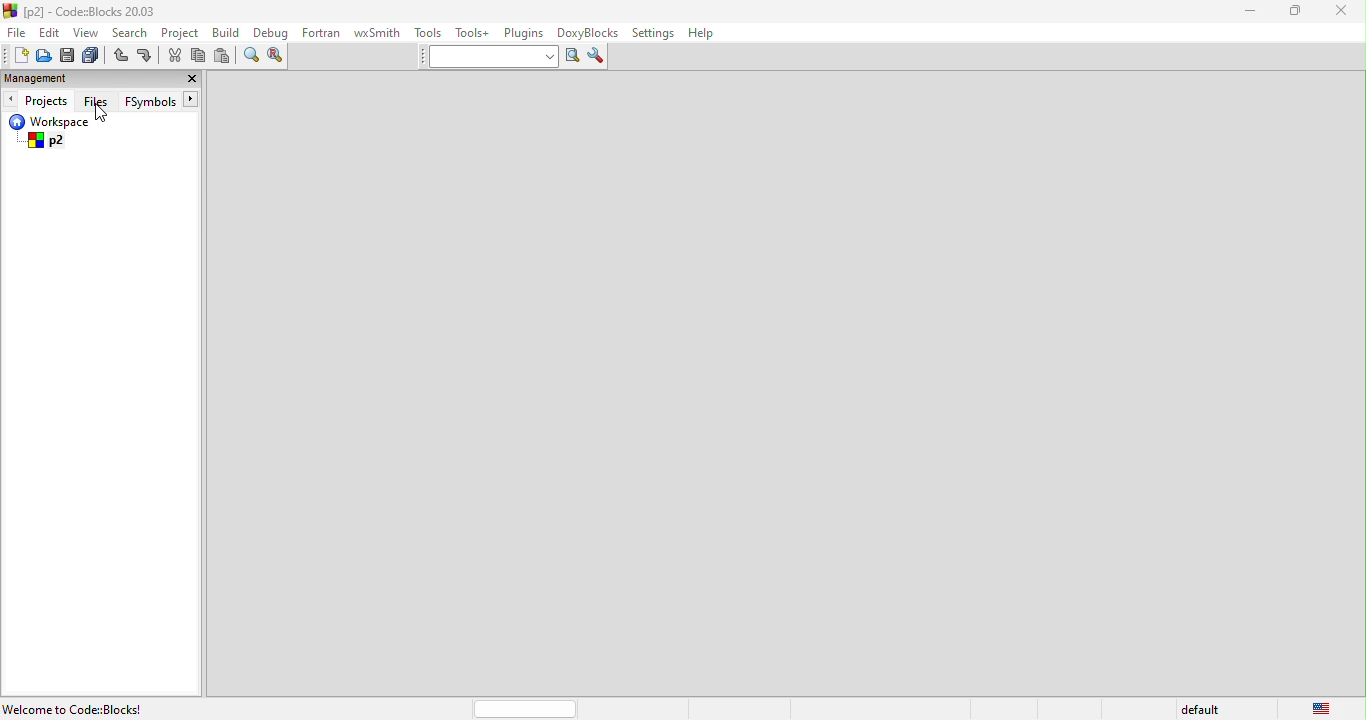 This screenshot has width=1366, height=720. I want to click on projects, so click(35, 98).